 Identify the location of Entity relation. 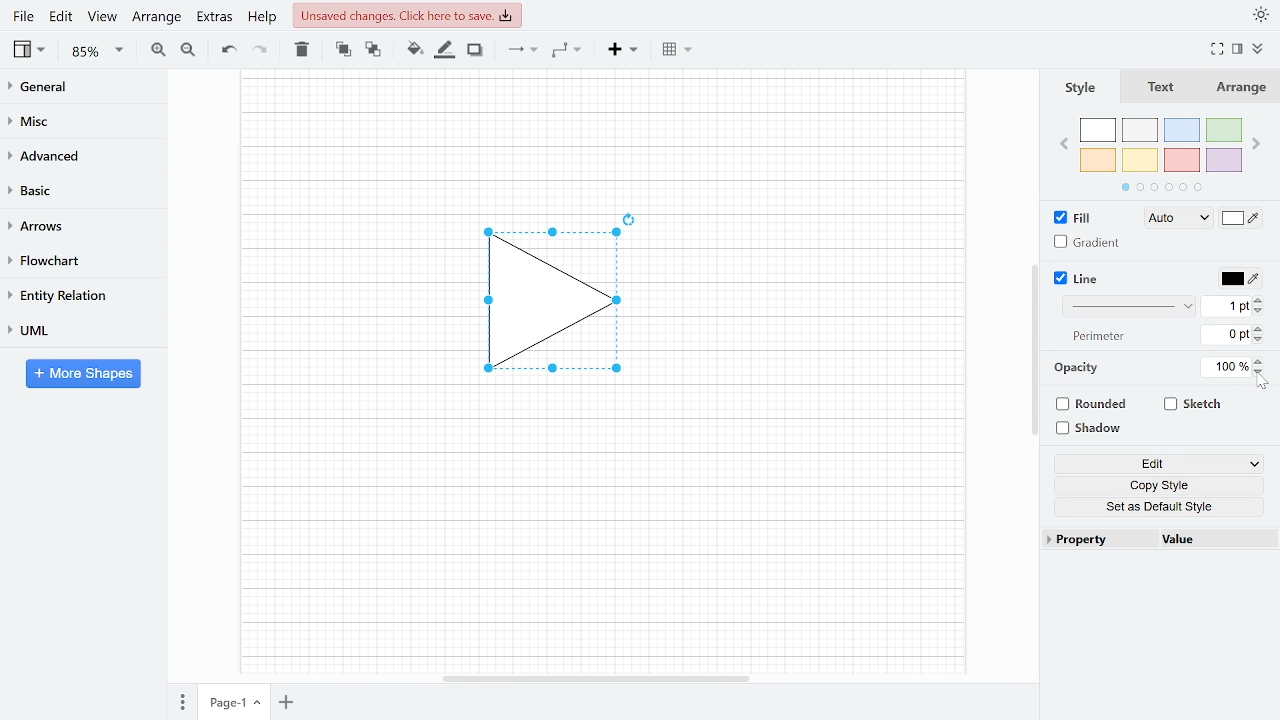
(75, 295).